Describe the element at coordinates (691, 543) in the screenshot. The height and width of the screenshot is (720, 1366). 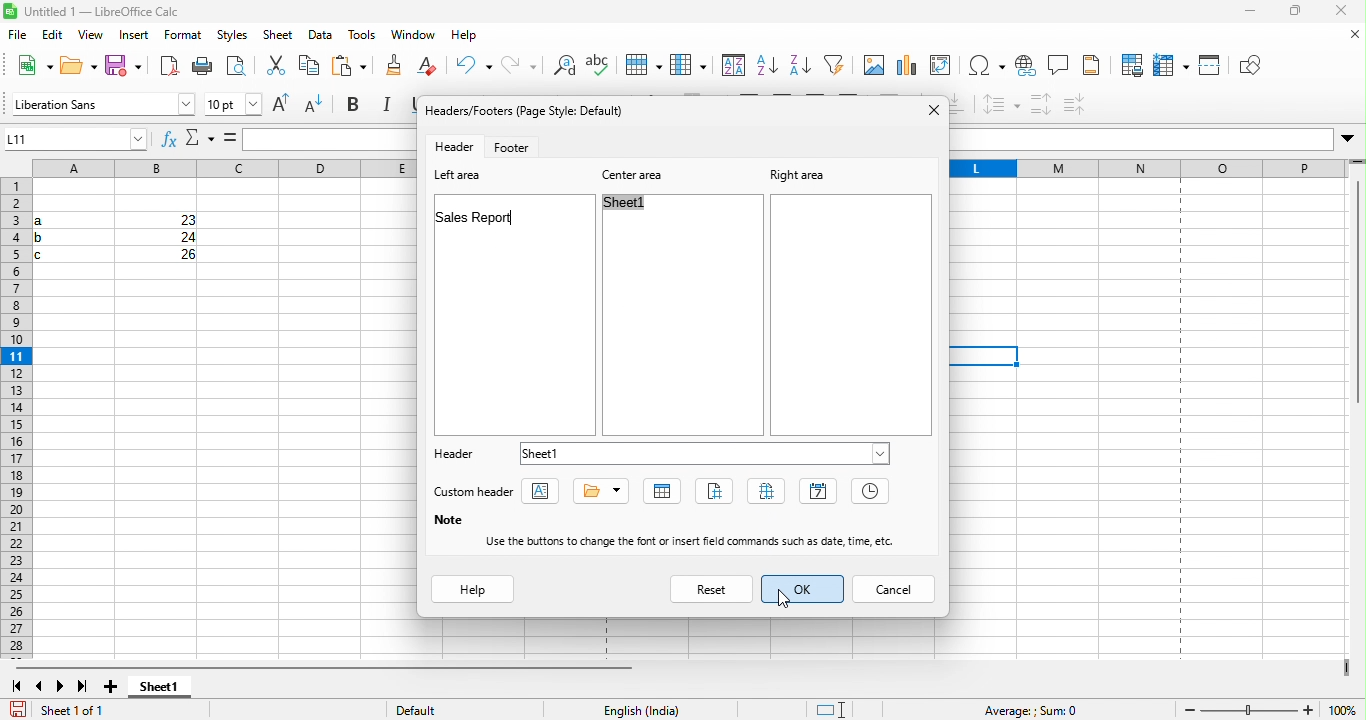
I see `use the buttons to change the font or insert field commands such as data,time etc` at that location.